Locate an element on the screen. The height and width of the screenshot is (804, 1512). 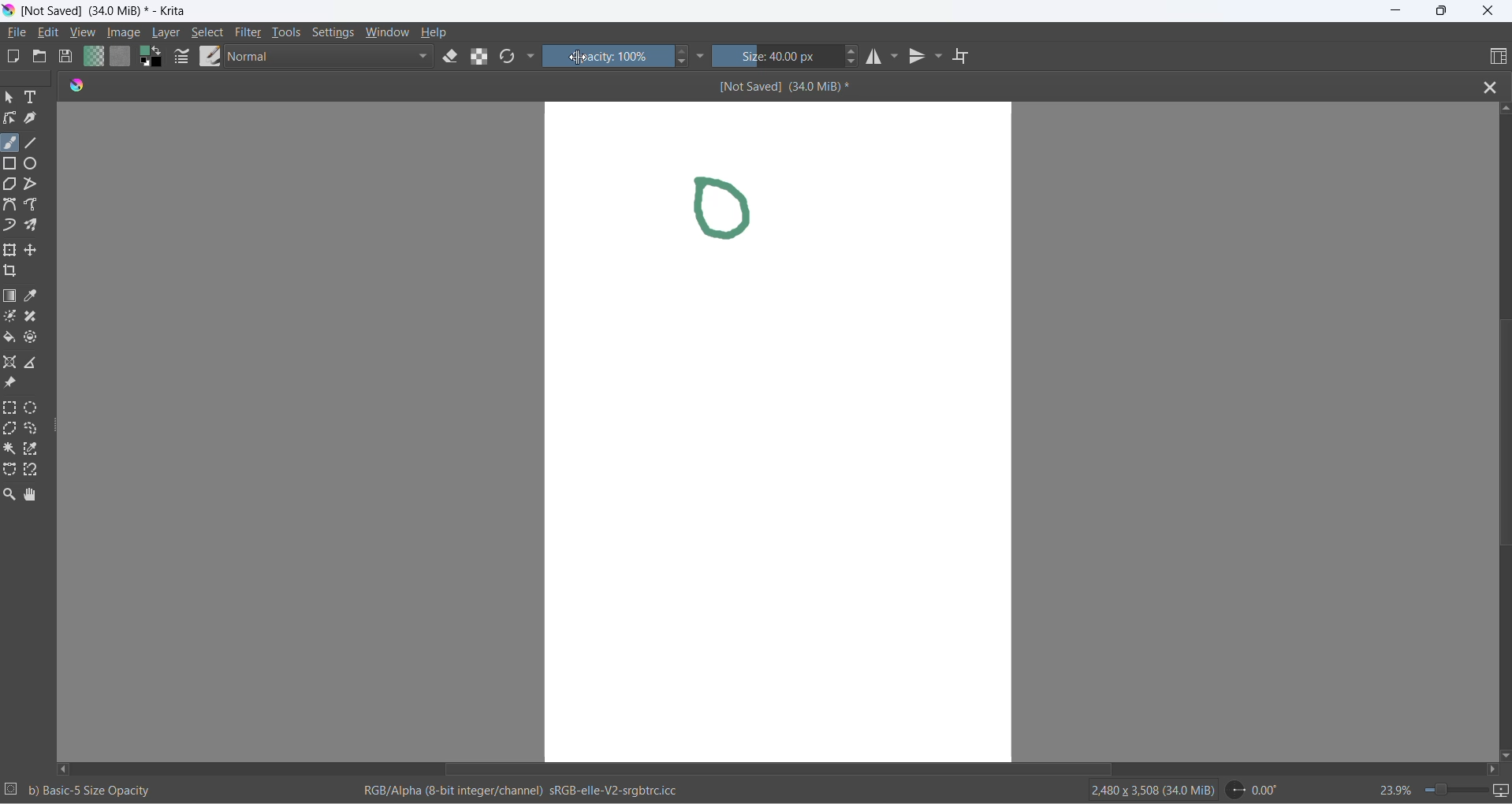
similar color selection tool is located at coordinates (36, 449).